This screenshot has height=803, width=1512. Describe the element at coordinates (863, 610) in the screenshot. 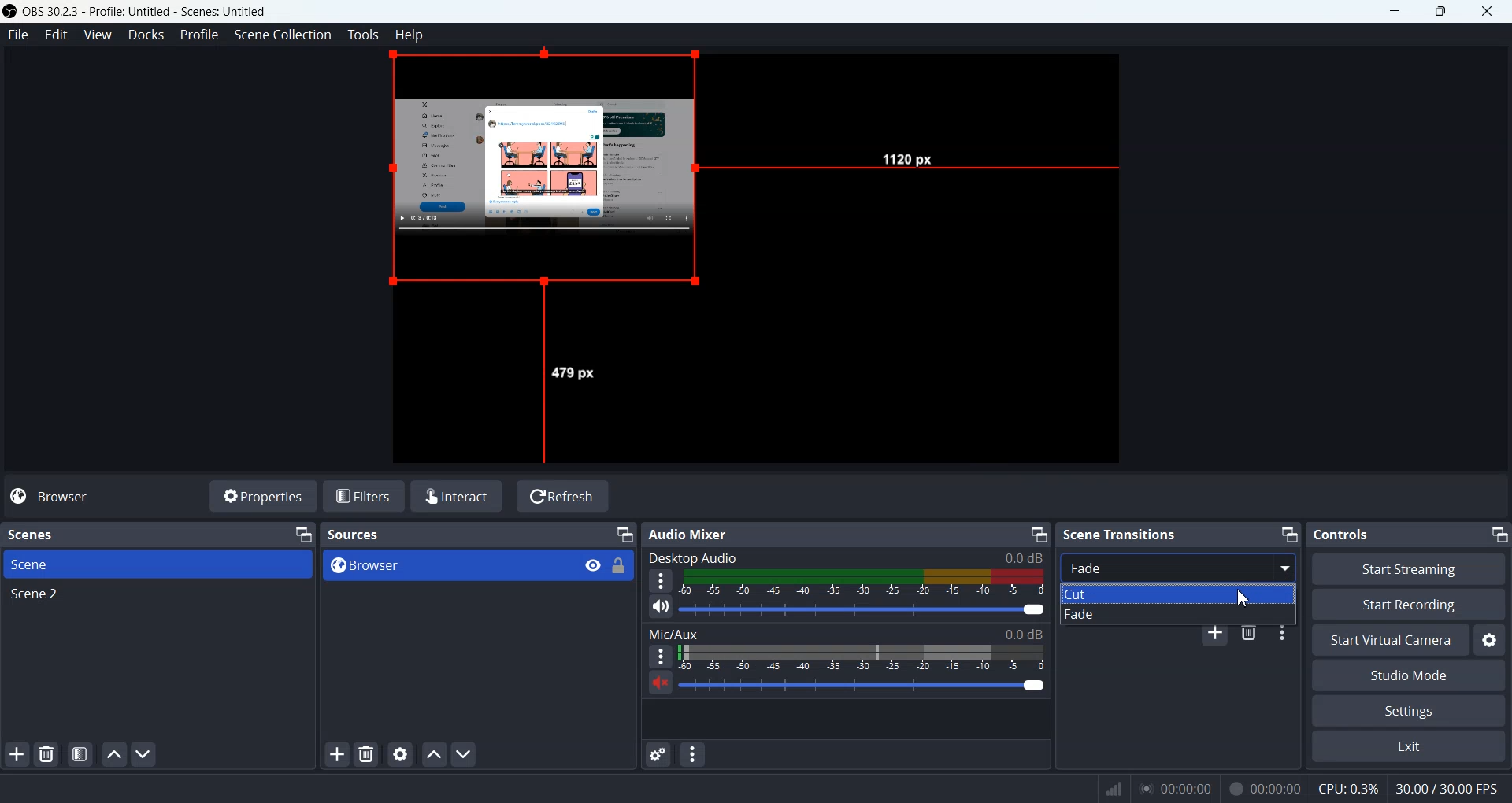

I see `volume adjuster` at that location.